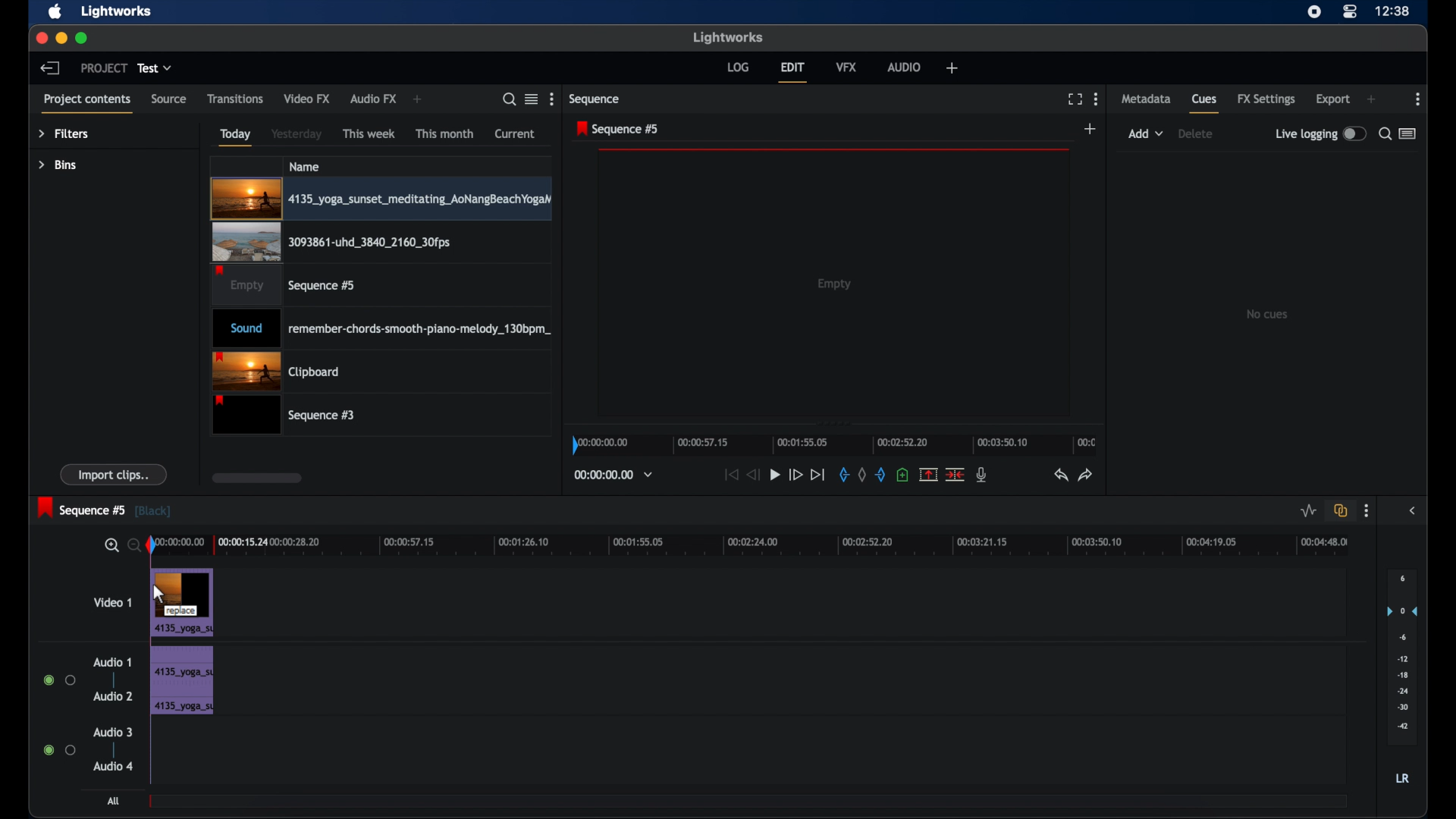 This screenshot has width=1456, height=819. I want to click on more options, so click(1419, 99).